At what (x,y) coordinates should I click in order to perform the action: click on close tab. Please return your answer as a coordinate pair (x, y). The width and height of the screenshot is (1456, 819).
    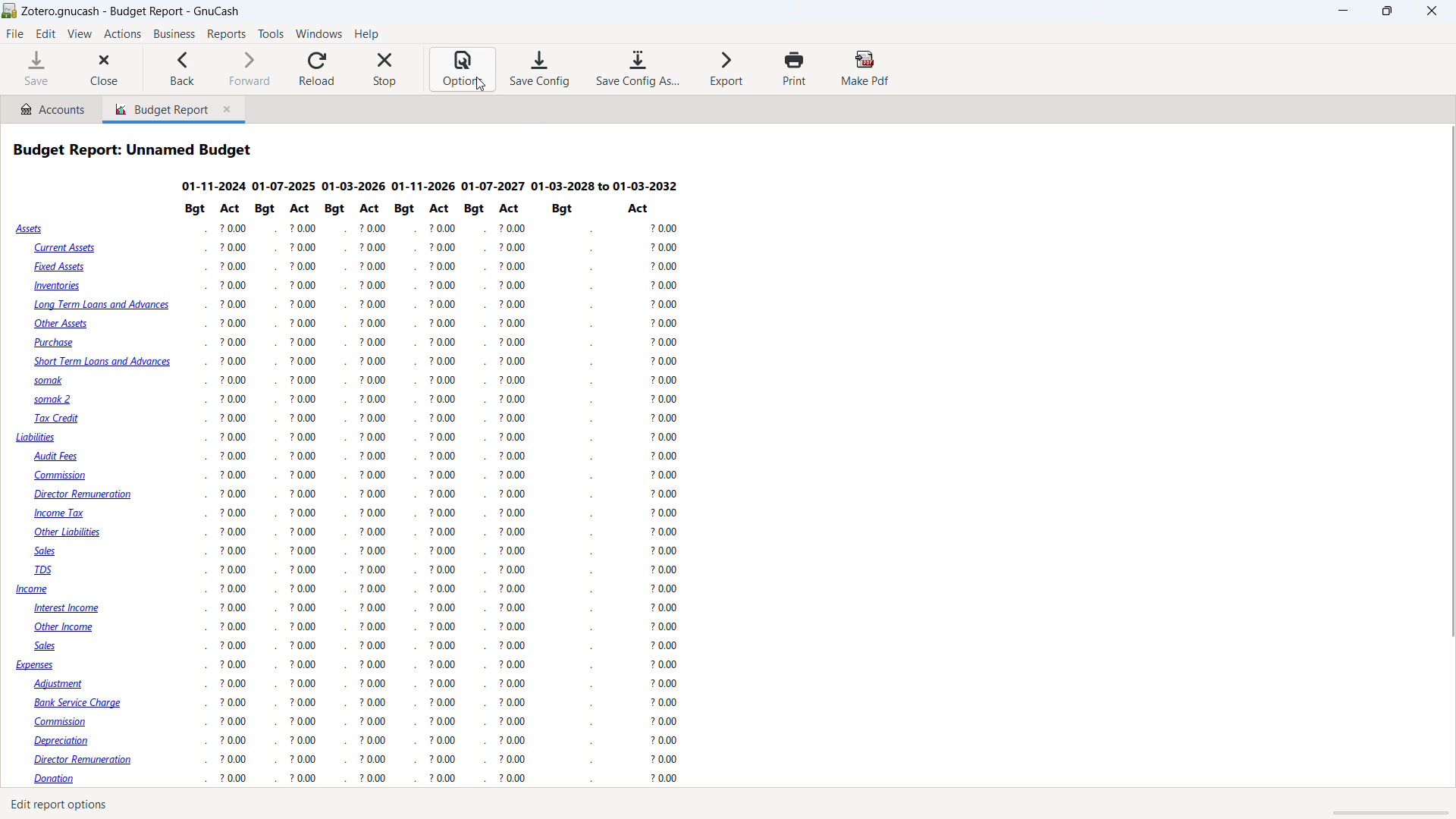
    Looking at the image, I should click on (230, 110).